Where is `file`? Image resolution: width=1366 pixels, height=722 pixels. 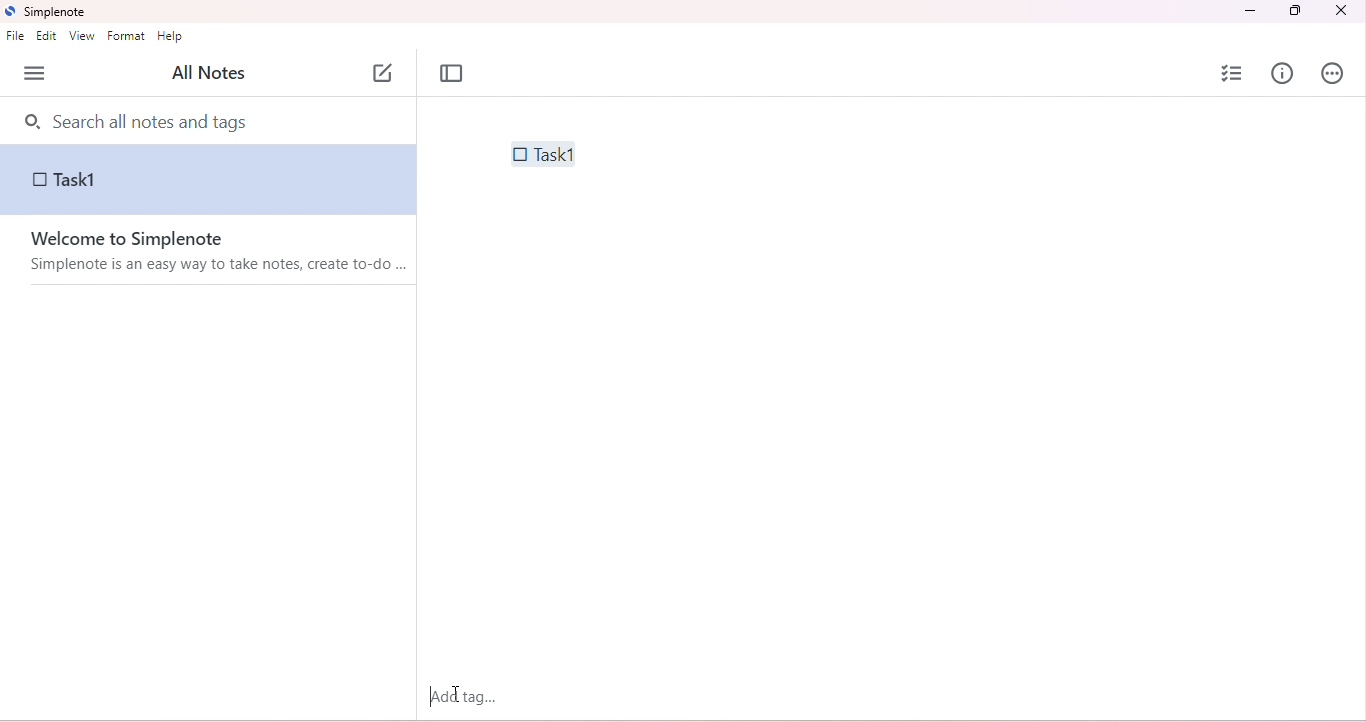 file is located at coordinates (15, 37).